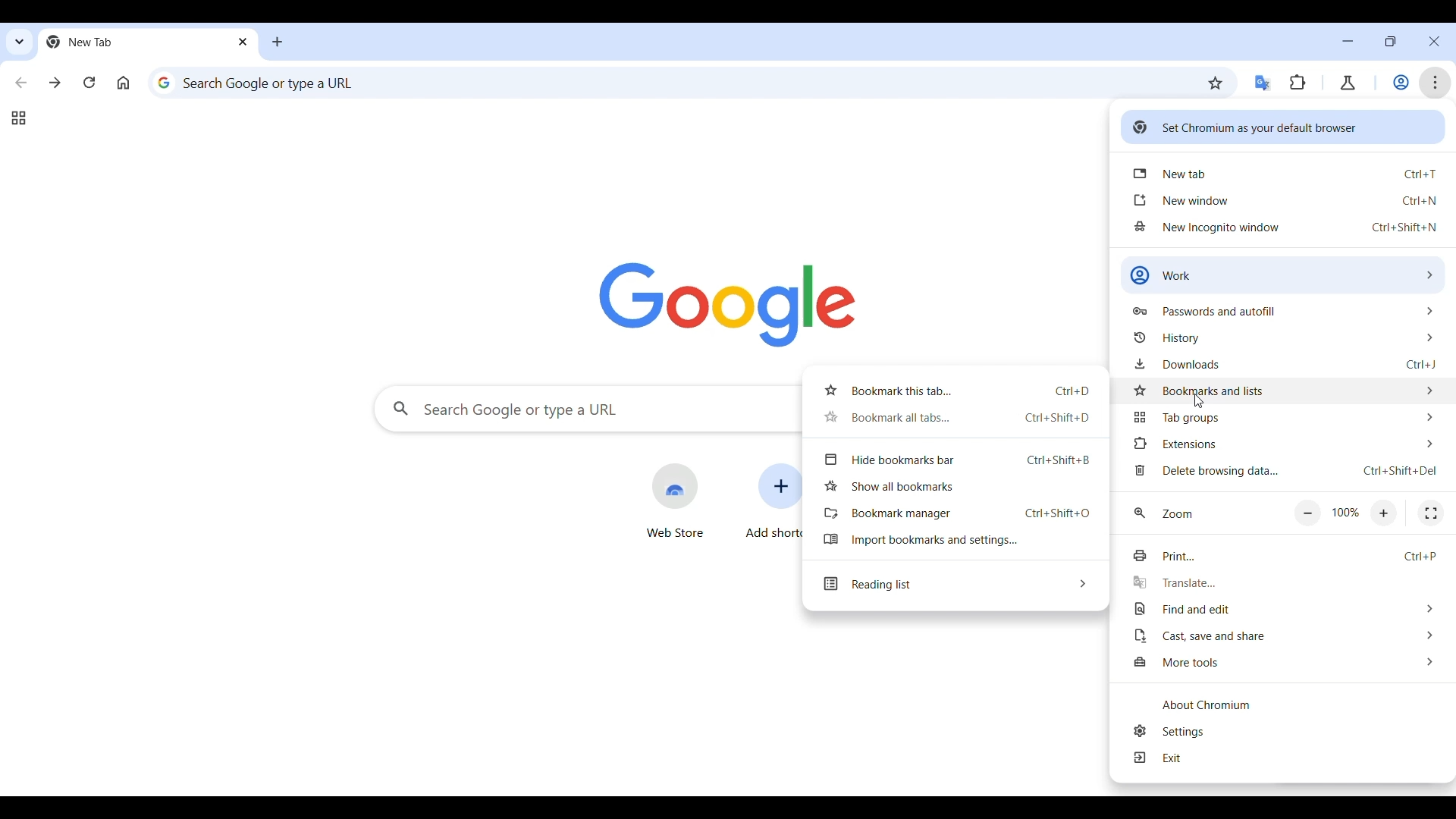  I want to click on Cast, save and share, so click(1285, 635).